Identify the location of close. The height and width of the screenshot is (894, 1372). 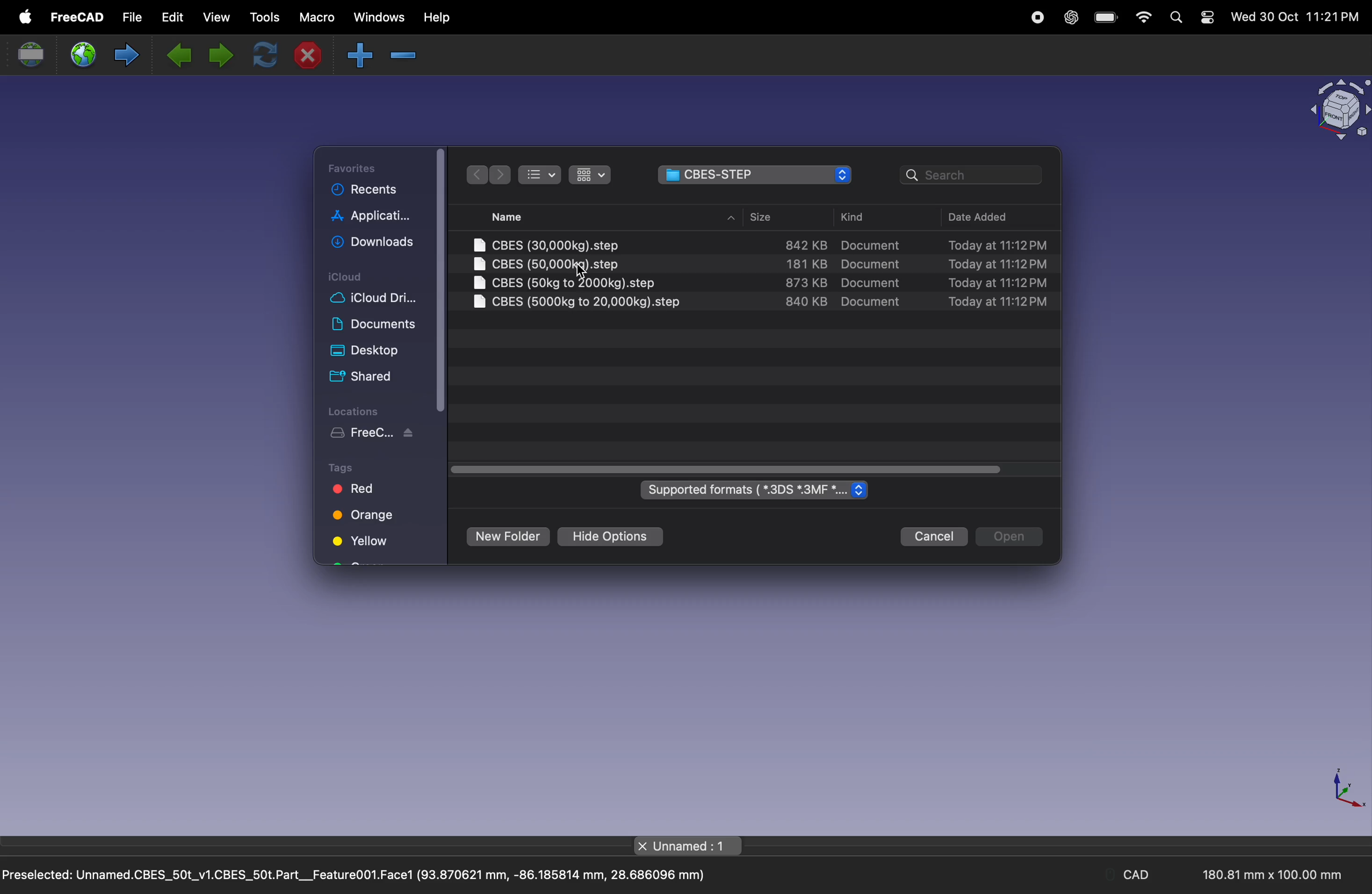
(313, 55).